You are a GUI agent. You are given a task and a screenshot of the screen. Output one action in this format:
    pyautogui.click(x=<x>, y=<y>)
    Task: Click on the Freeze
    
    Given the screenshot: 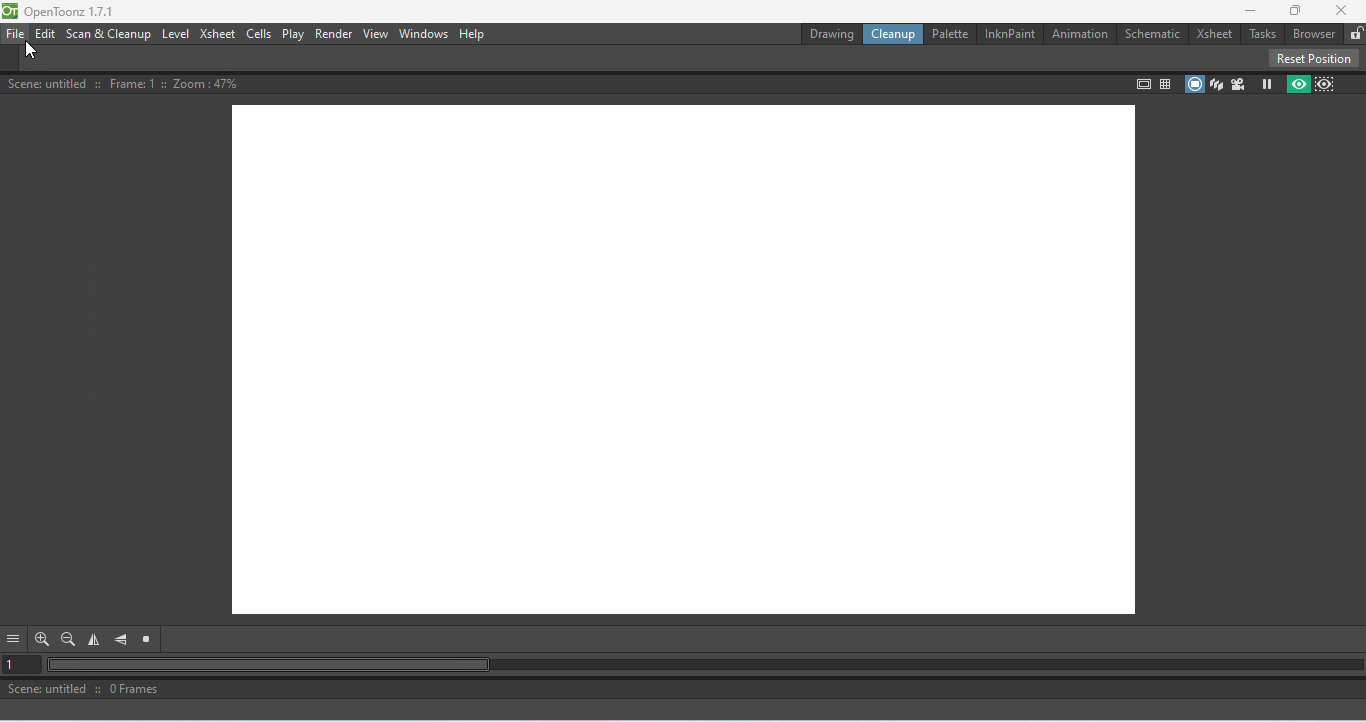 What is the action you would take?
    pyautogui.click(x=1263, y=85)
    